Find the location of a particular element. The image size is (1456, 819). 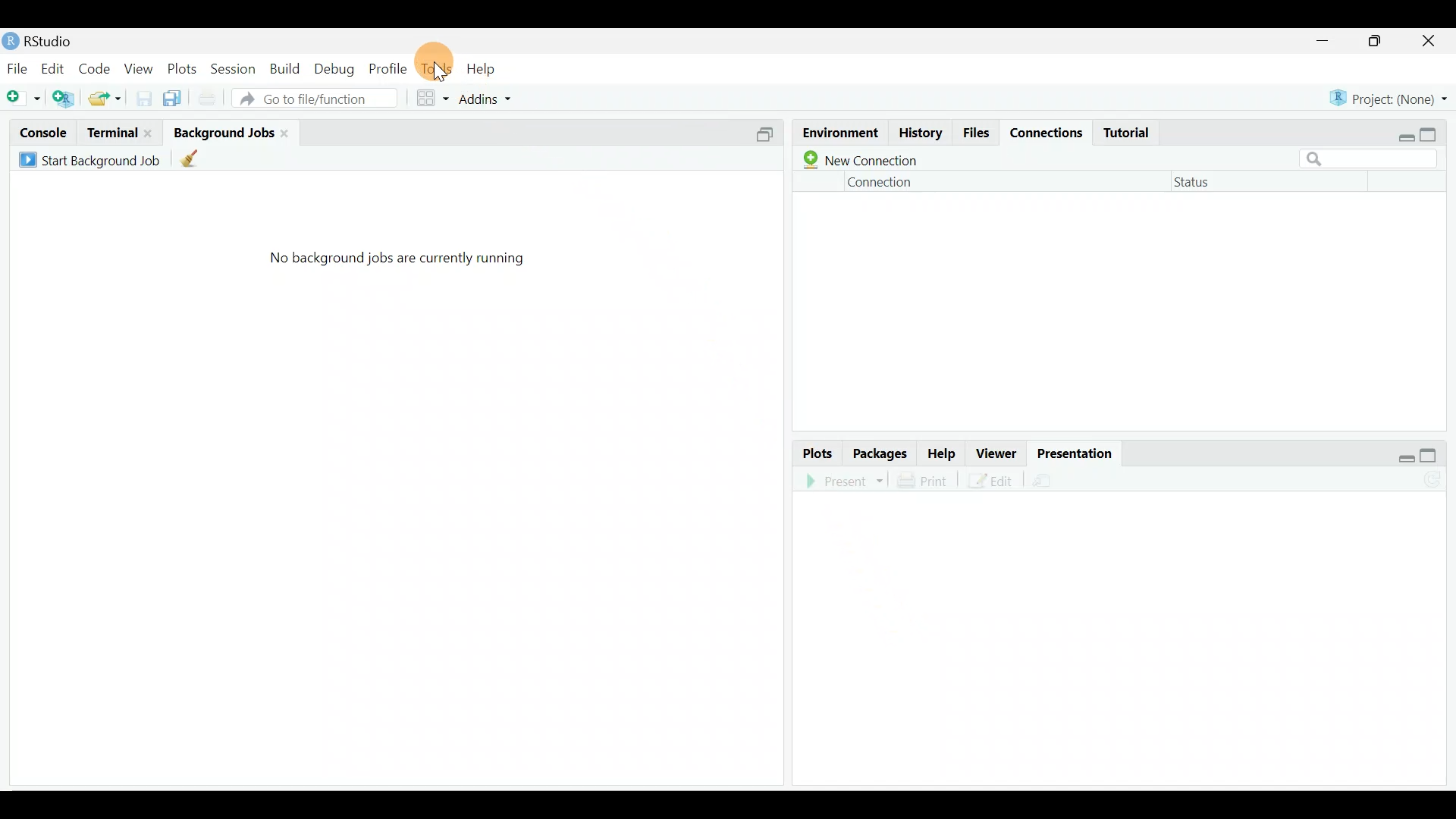

maximize is located at coordinates (1434, 132).